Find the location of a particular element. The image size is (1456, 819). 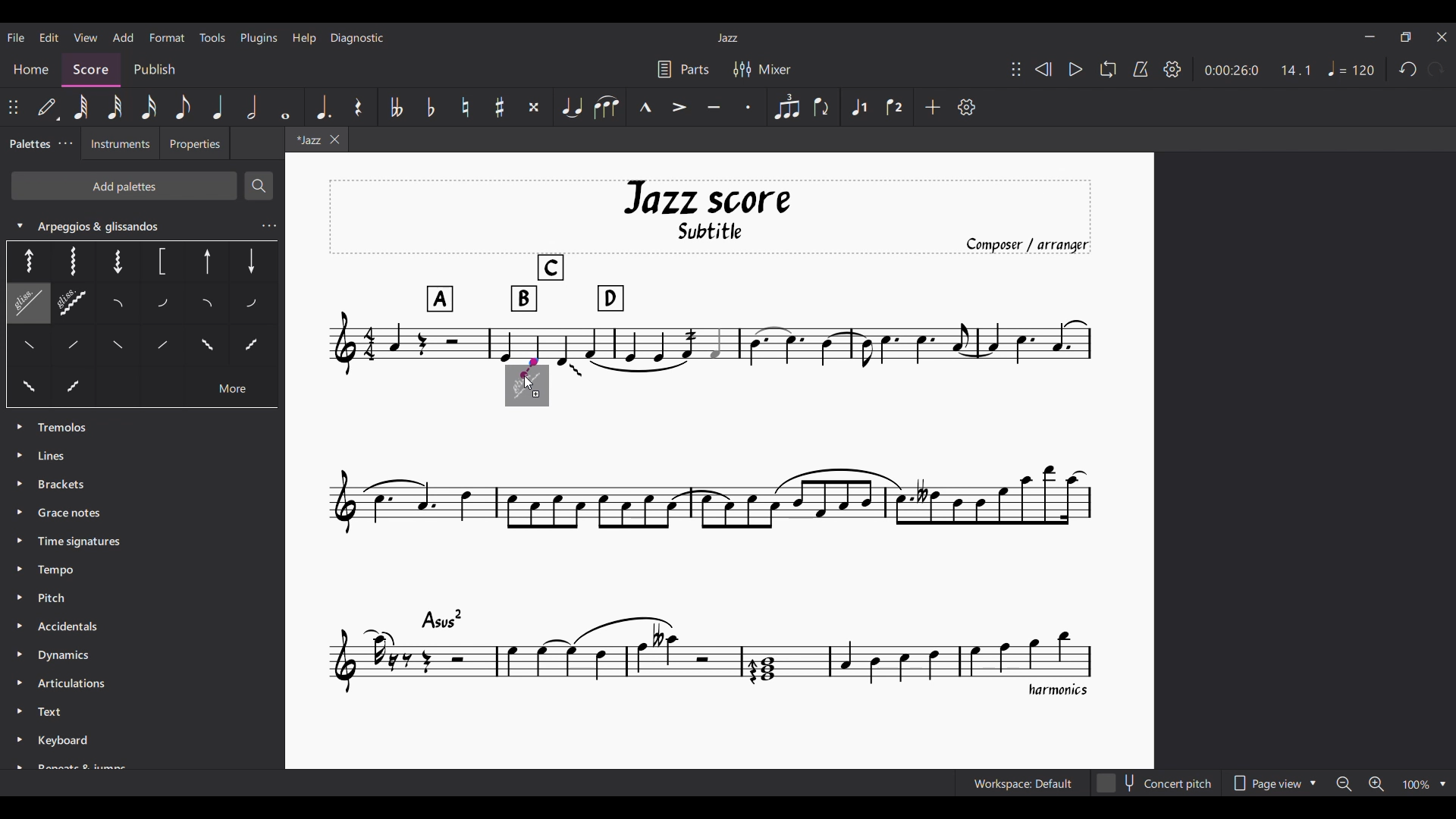

Setting of current palette selected is located at coordinates (268, 226).